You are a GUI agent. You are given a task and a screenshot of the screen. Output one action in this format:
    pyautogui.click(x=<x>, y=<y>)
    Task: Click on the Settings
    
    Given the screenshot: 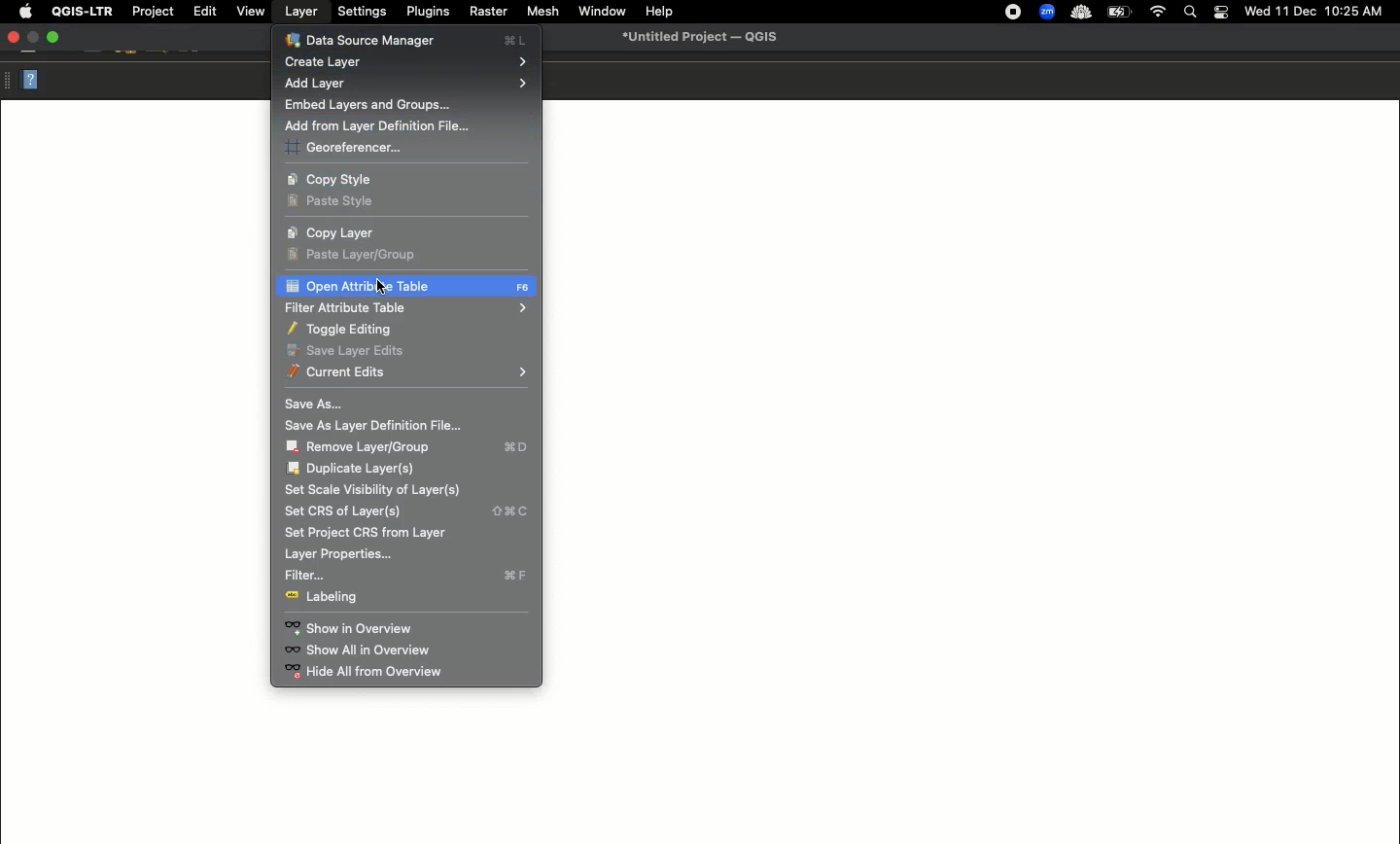 What is the action you would take?
    pyautogui.click(x=361, y=11)
    